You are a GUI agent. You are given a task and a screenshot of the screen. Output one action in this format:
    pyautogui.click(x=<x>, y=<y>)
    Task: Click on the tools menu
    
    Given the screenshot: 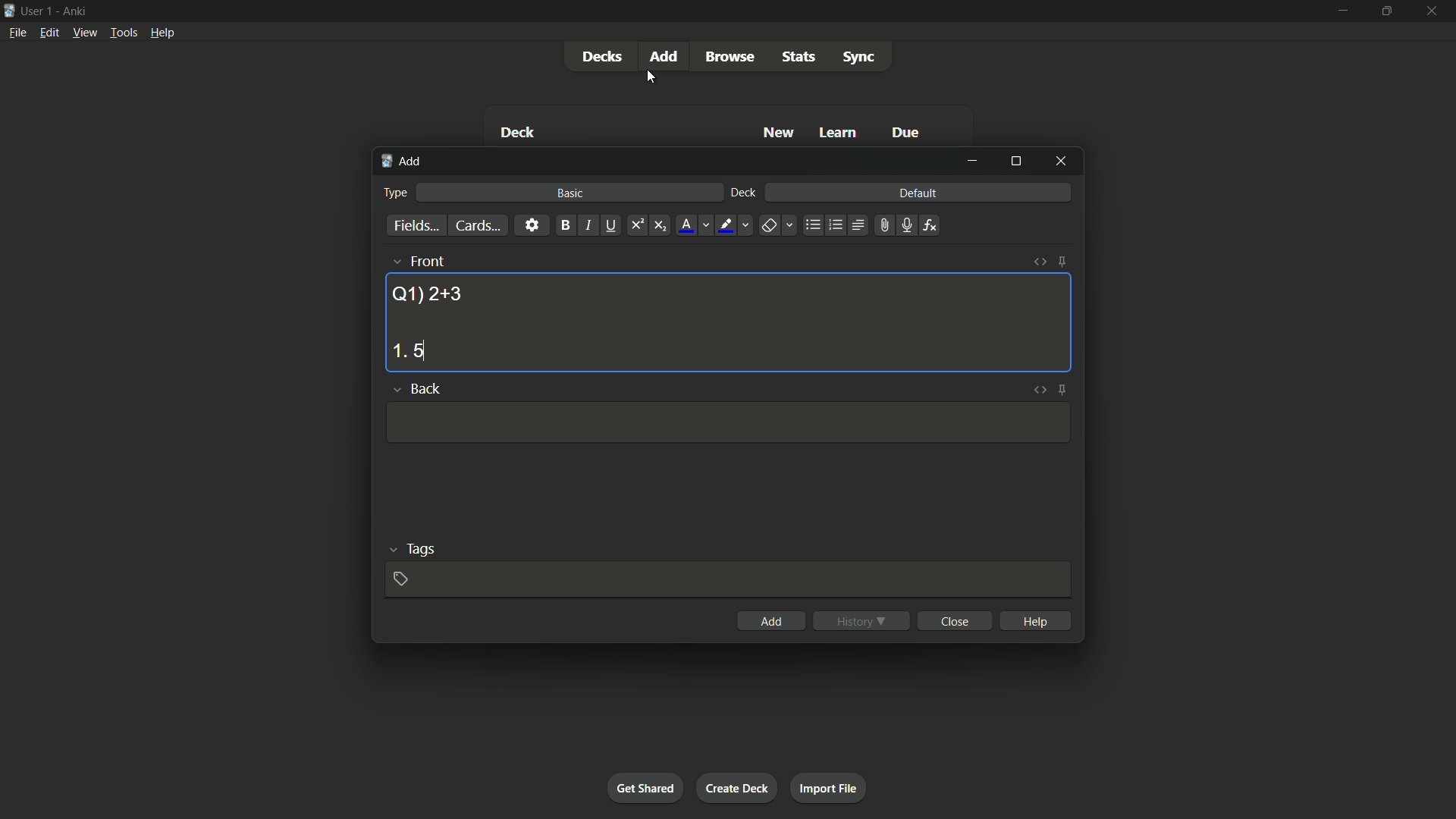 What is the action you would take?
    pyautogui.click(x=123, y=32)
    